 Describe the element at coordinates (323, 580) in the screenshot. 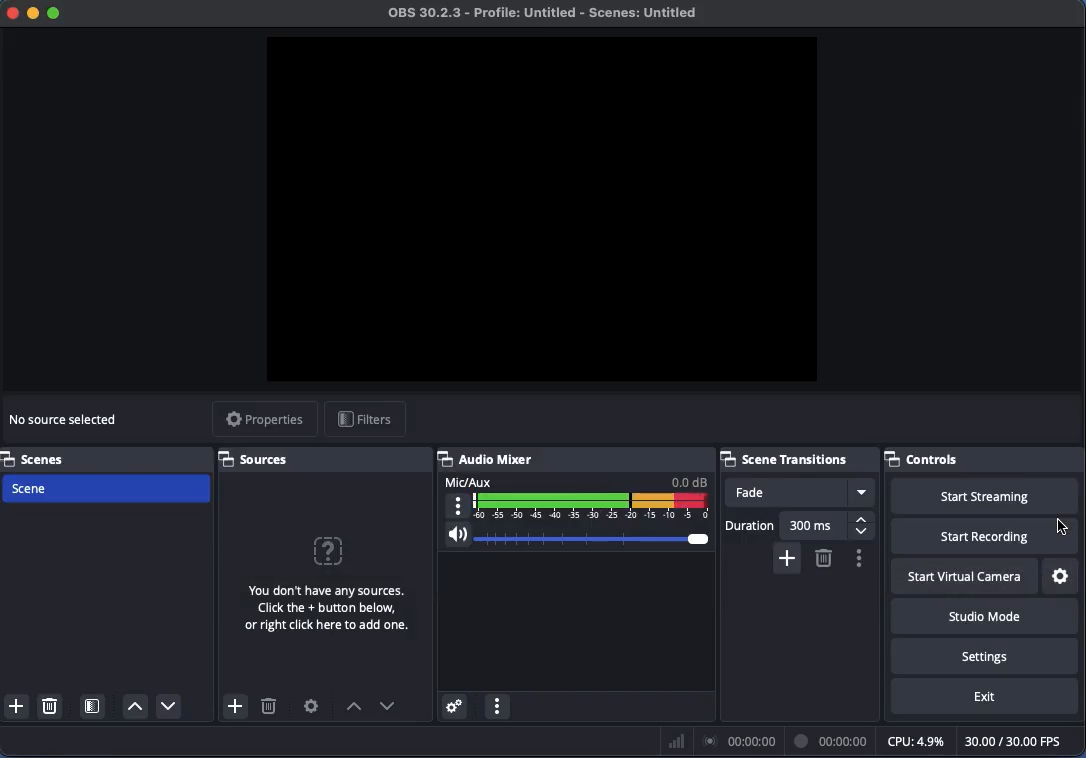

I see `No source selected` at that location.